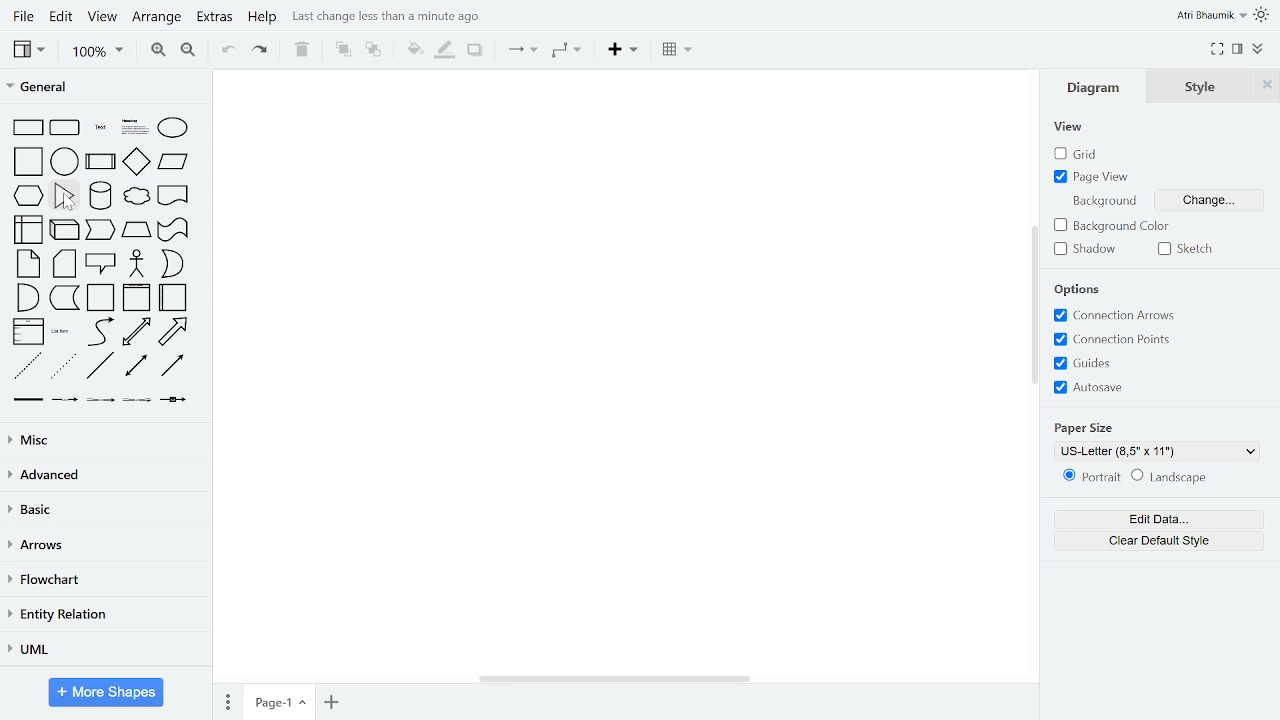 Image resolution: width=1280 pixels, height=720 pixels. Describe the element at coordinates (171, 264) in the screenshot. I see `or` at that location.